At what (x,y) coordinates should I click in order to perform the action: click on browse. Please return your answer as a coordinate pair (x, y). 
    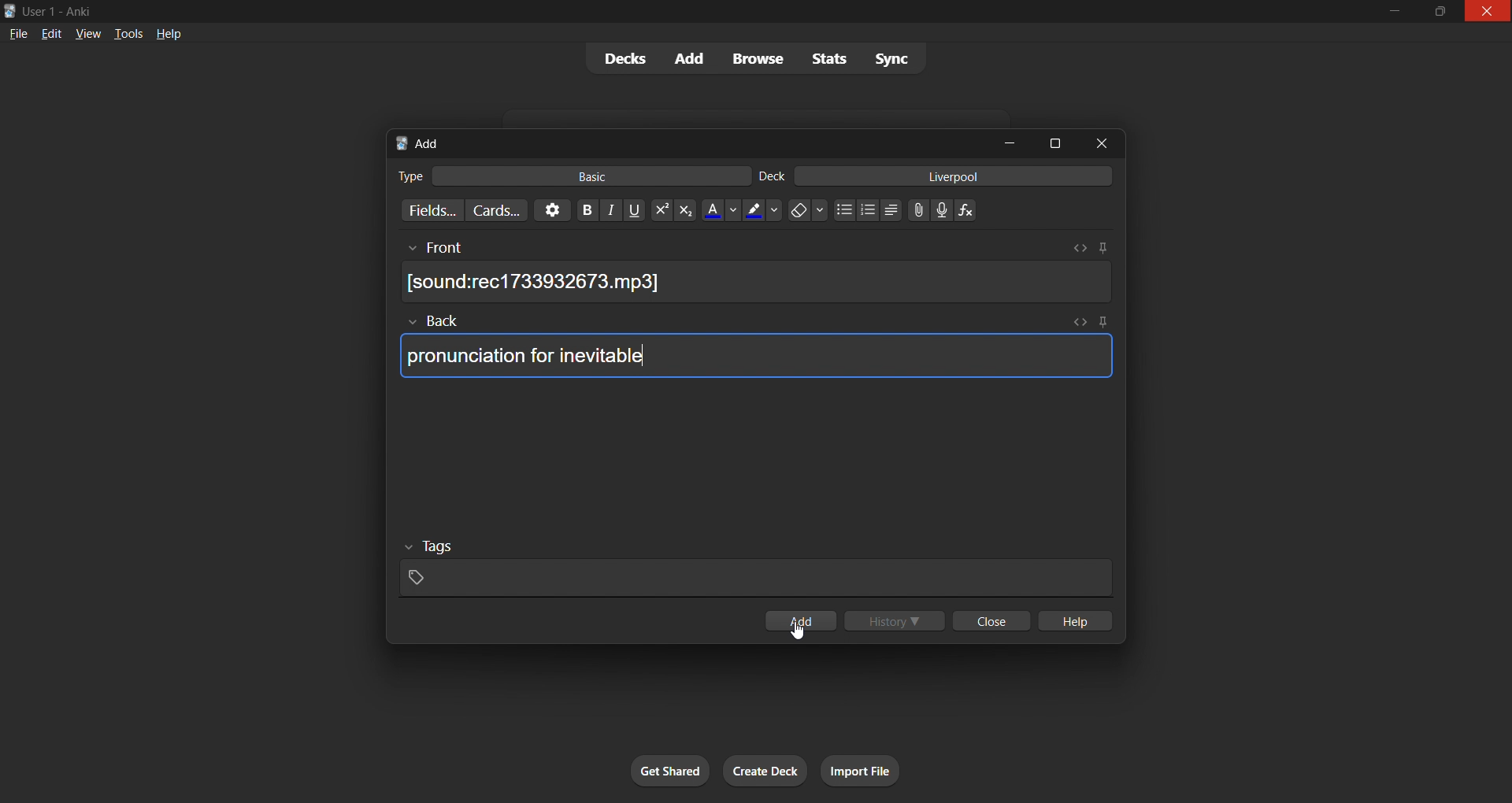
    Looking at the image, I should click on (762, 57).